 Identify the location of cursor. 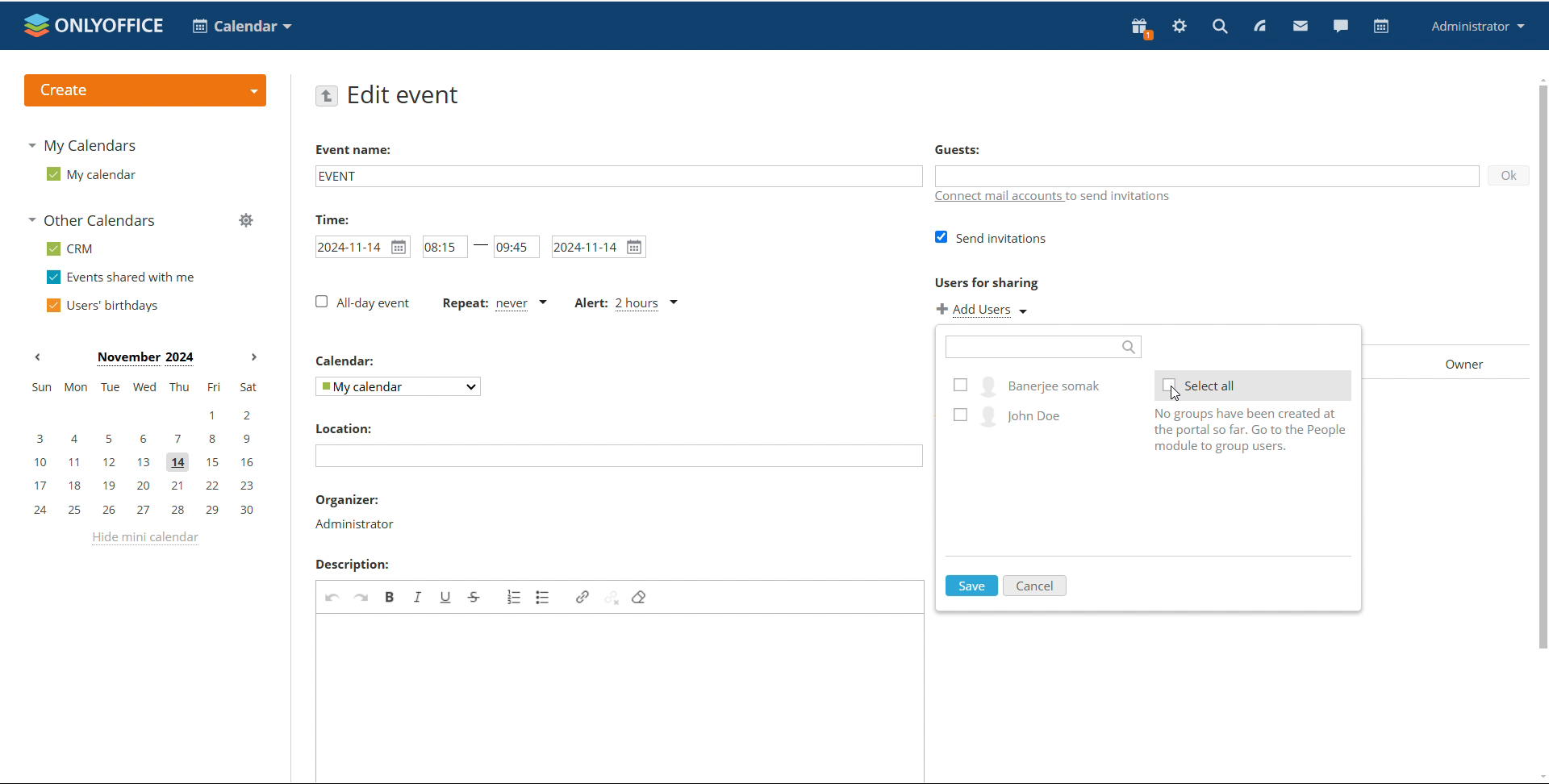
(1175, 394).